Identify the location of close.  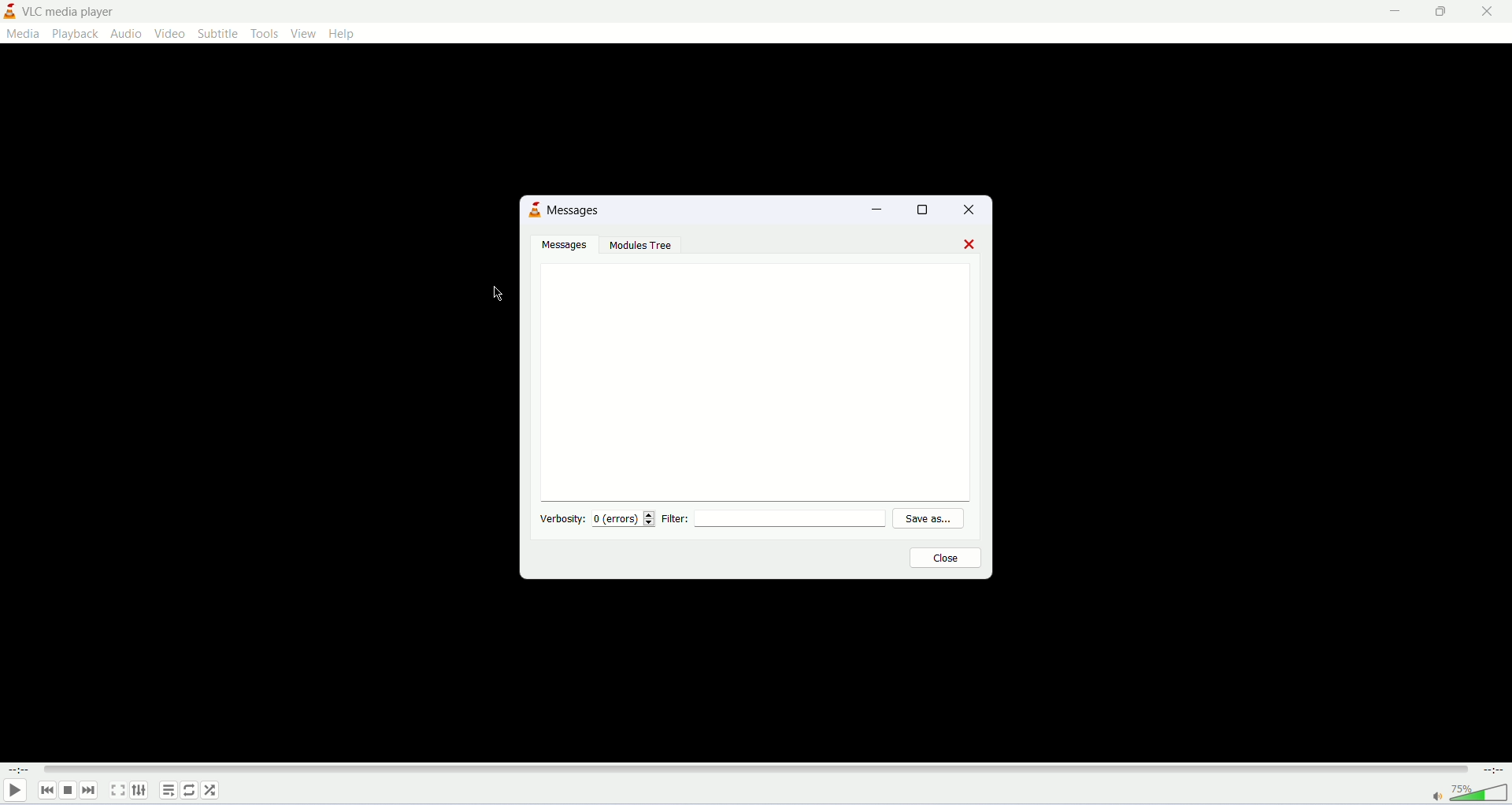
(968, 243).